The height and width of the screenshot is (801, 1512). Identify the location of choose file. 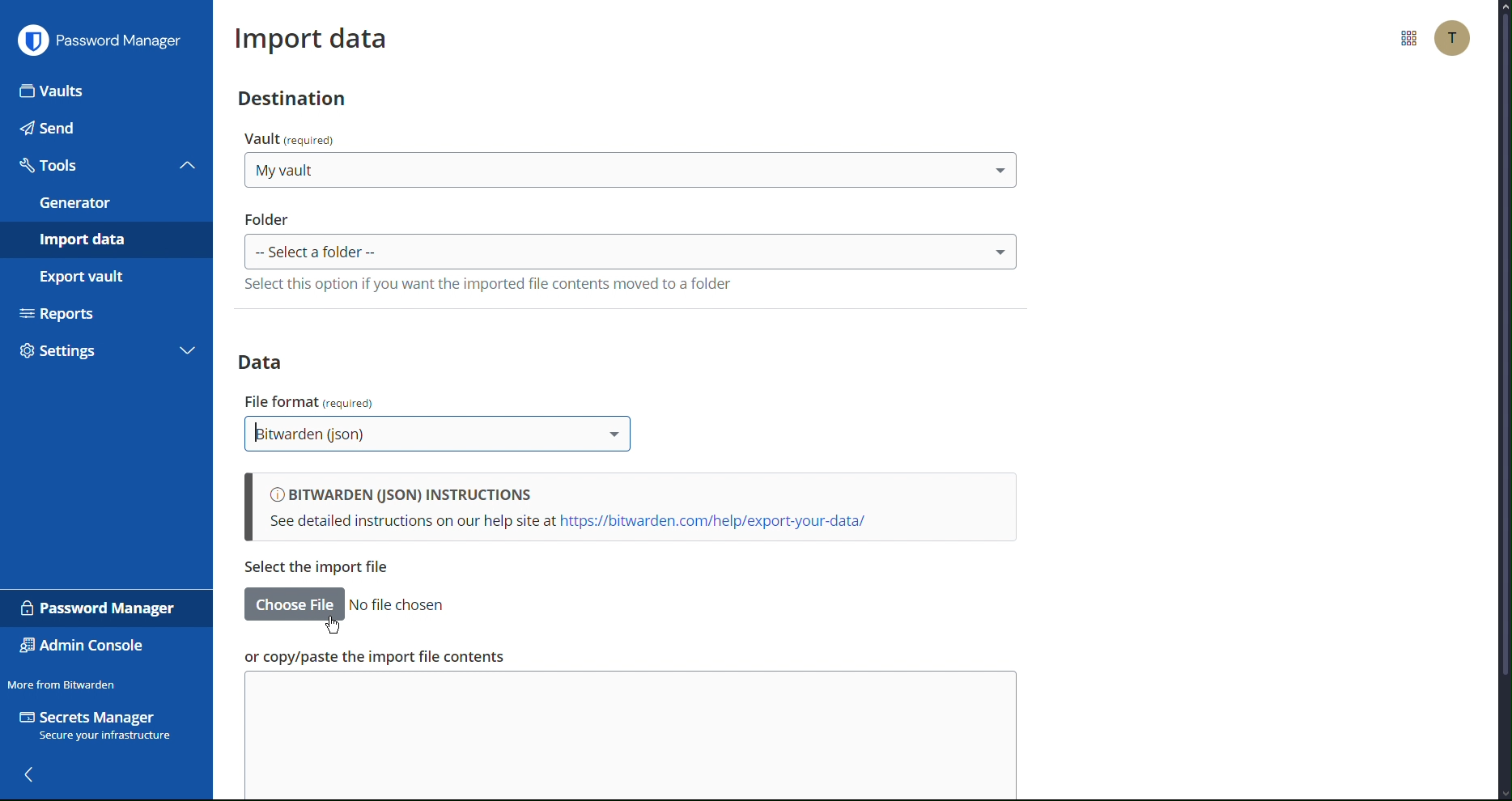
(292, 604).